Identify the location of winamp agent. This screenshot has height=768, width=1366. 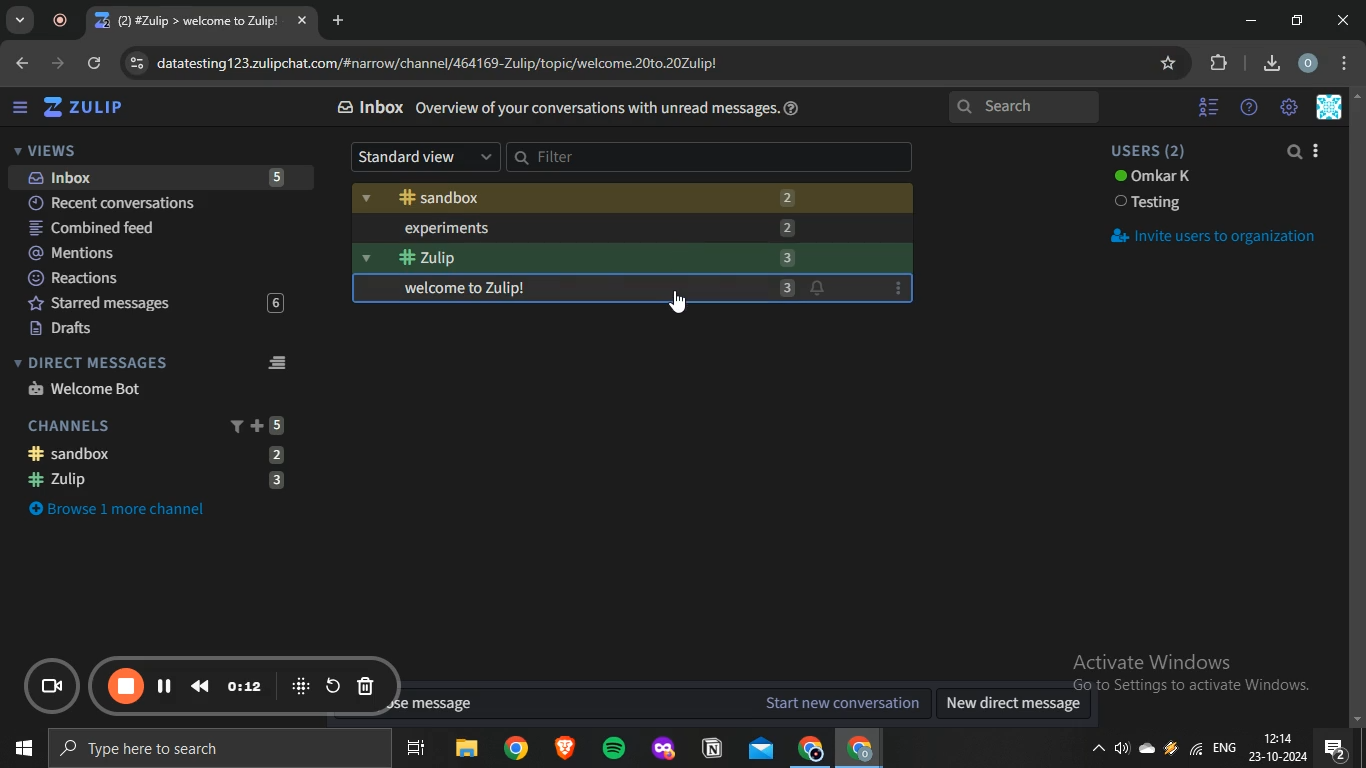
(1171, 753).